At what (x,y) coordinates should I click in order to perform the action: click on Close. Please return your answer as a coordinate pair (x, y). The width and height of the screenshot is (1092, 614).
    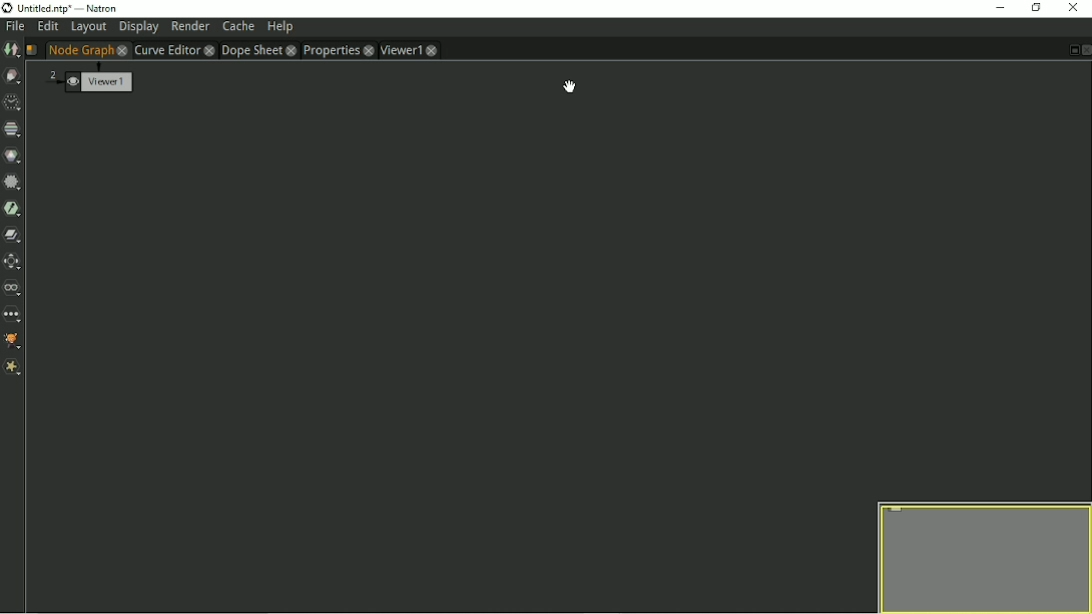
    Looking at the image, I should click on (1074, 8).